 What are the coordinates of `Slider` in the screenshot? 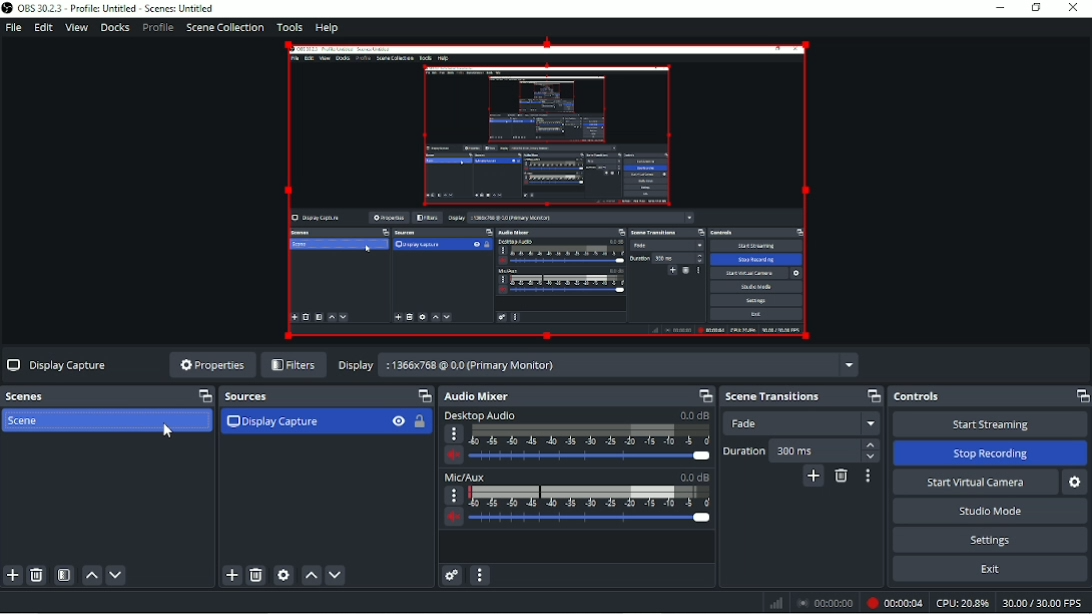 It's located at (591, 457).